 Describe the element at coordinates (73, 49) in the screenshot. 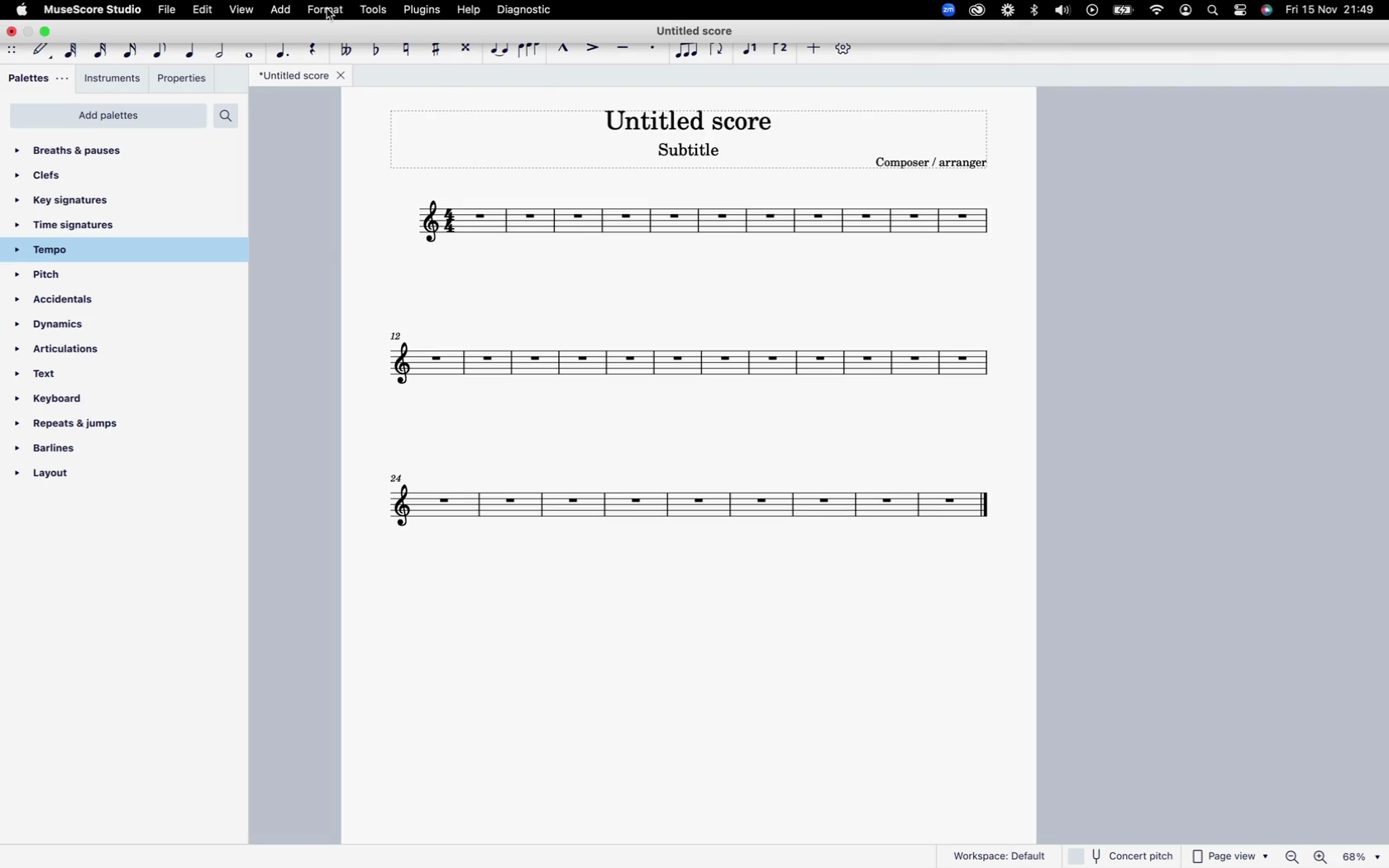

I see `64th note` at that location.